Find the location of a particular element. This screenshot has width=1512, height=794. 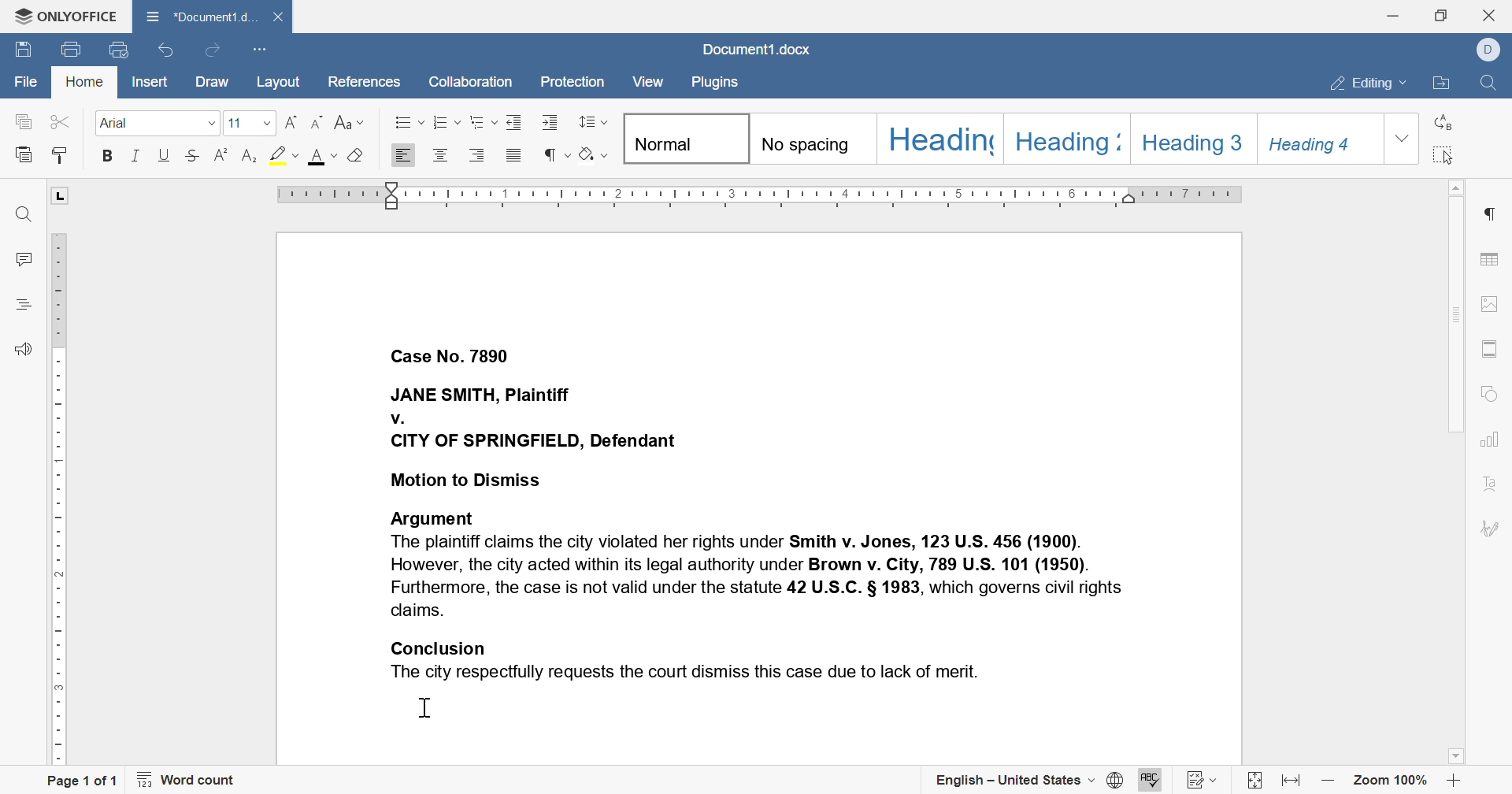

fit to width is located at coordinates (1291, 780).